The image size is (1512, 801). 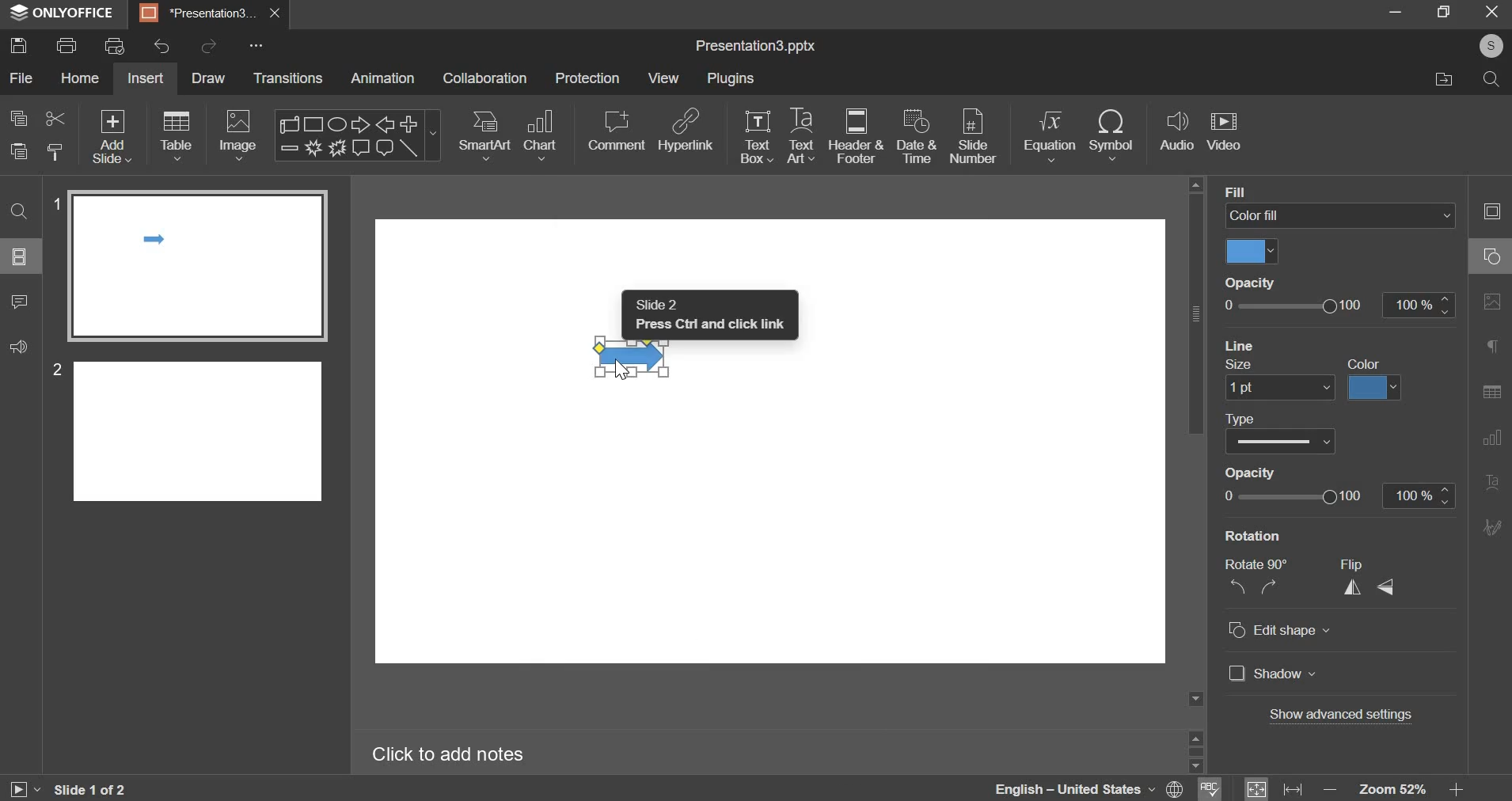 I want to click on Scroll down, so click(x=1195, y=699).